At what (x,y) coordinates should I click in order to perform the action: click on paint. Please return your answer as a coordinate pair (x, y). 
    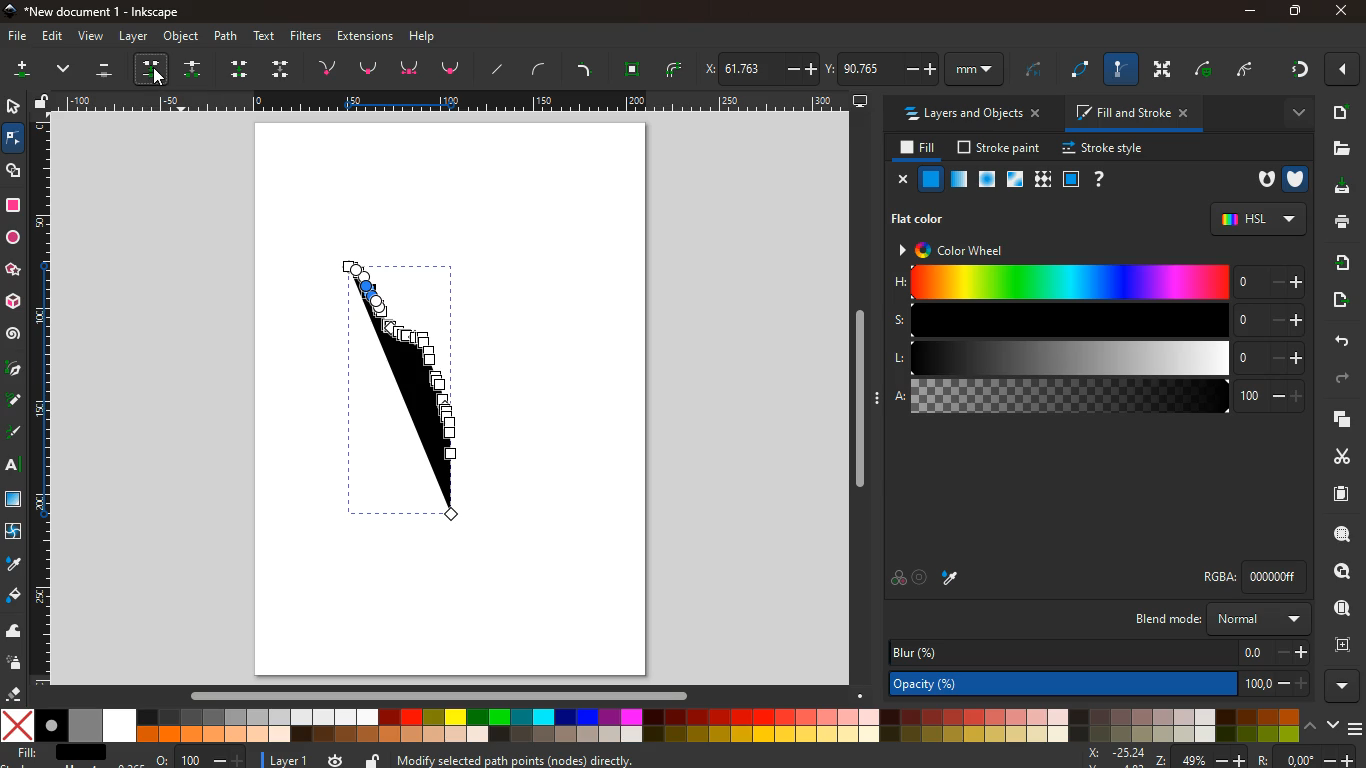
    Looking at the image, I should click on (15, 597).